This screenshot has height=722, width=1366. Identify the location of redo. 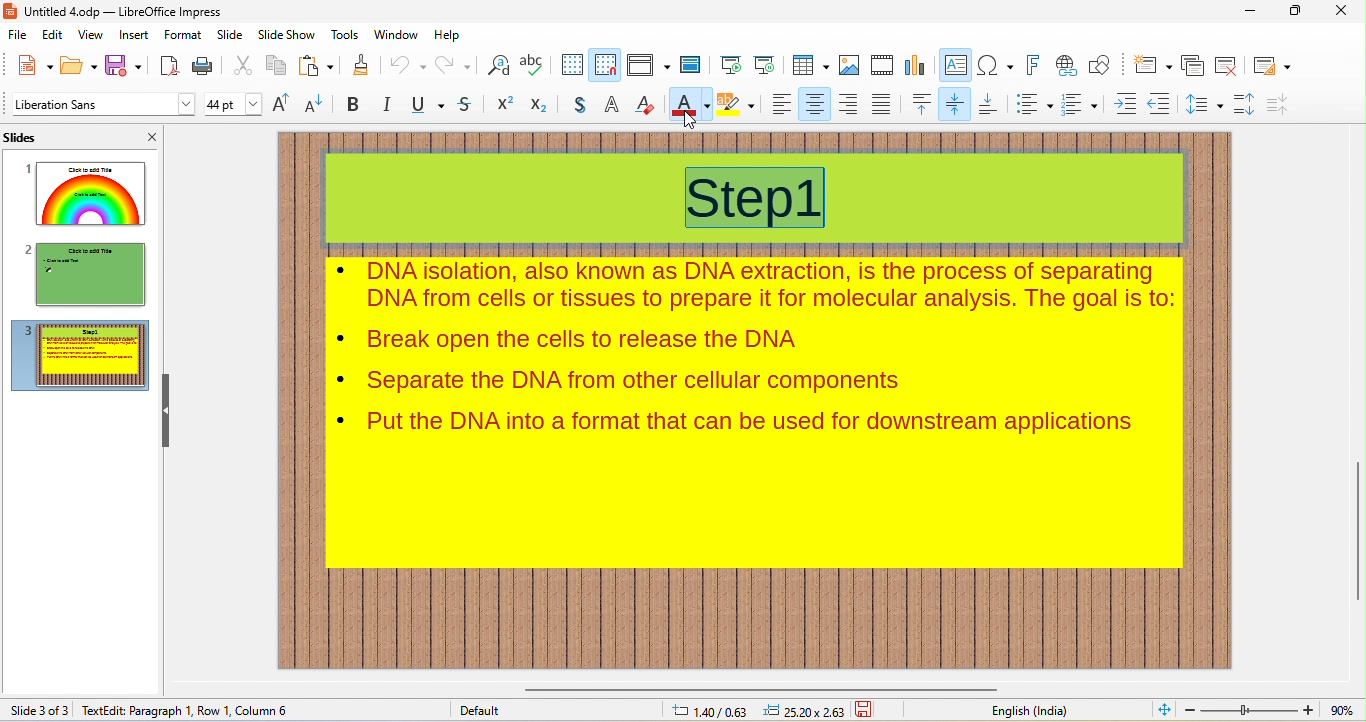
(456, 65).